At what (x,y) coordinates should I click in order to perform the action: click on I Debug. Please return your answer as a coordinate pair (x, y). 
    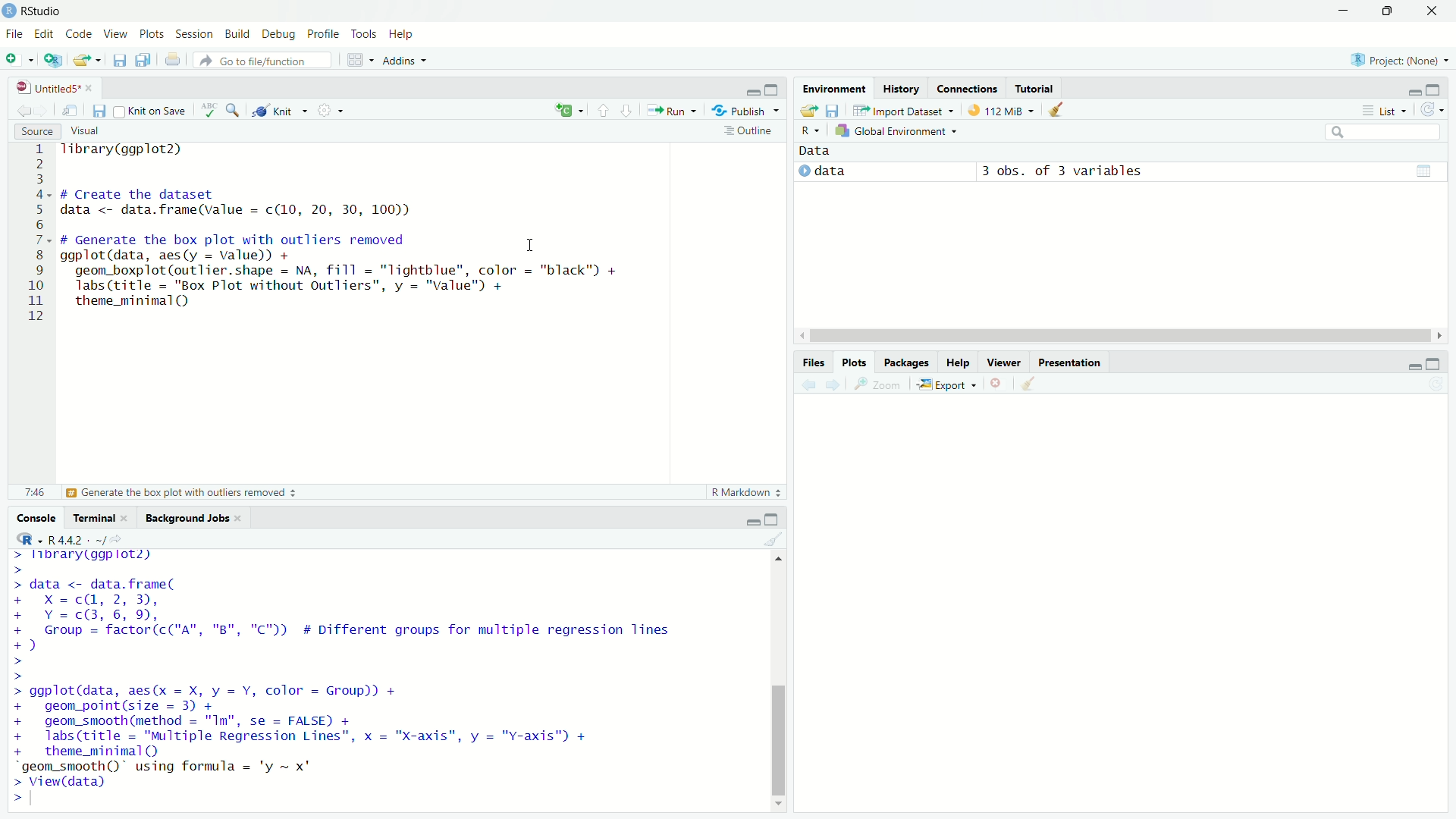
    Looking at the image, I should click on (280, 35).